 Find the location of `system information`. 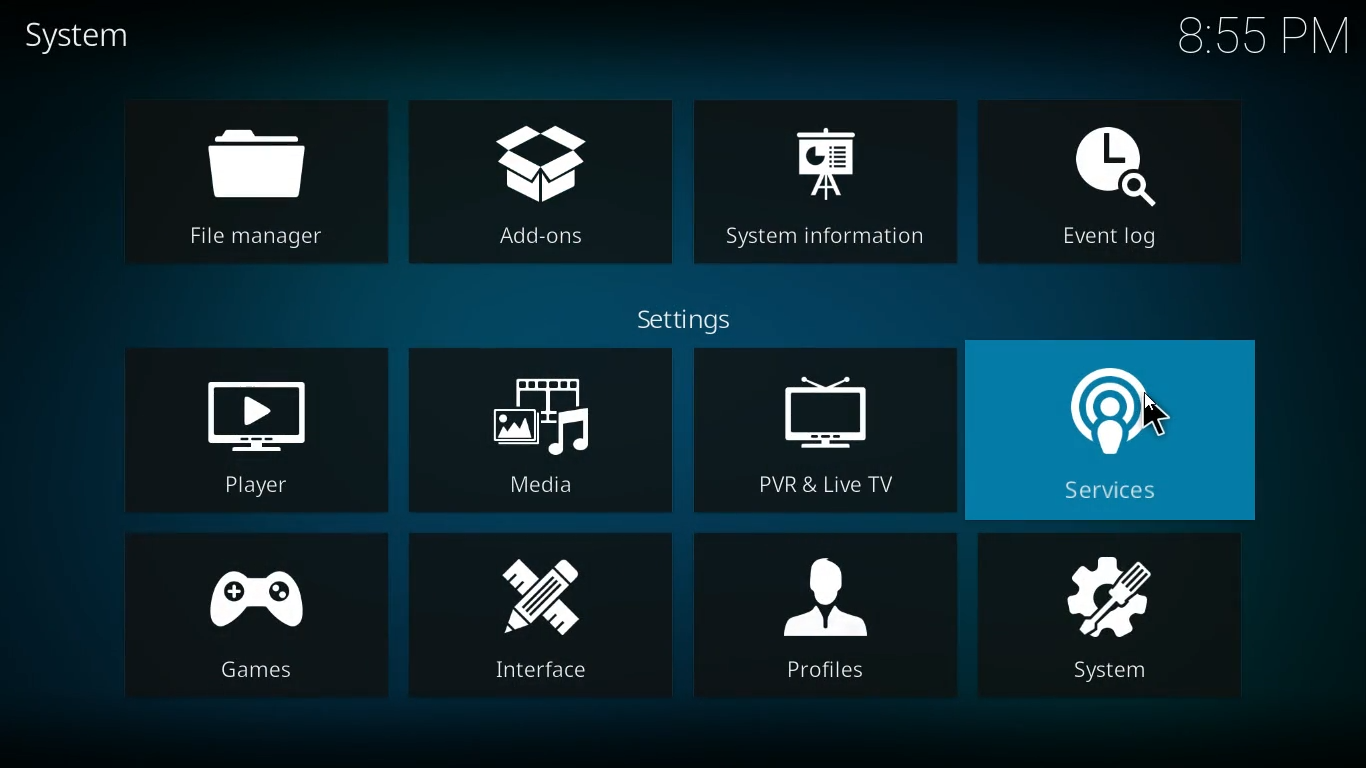

system information is located at coordinates (830, 173).